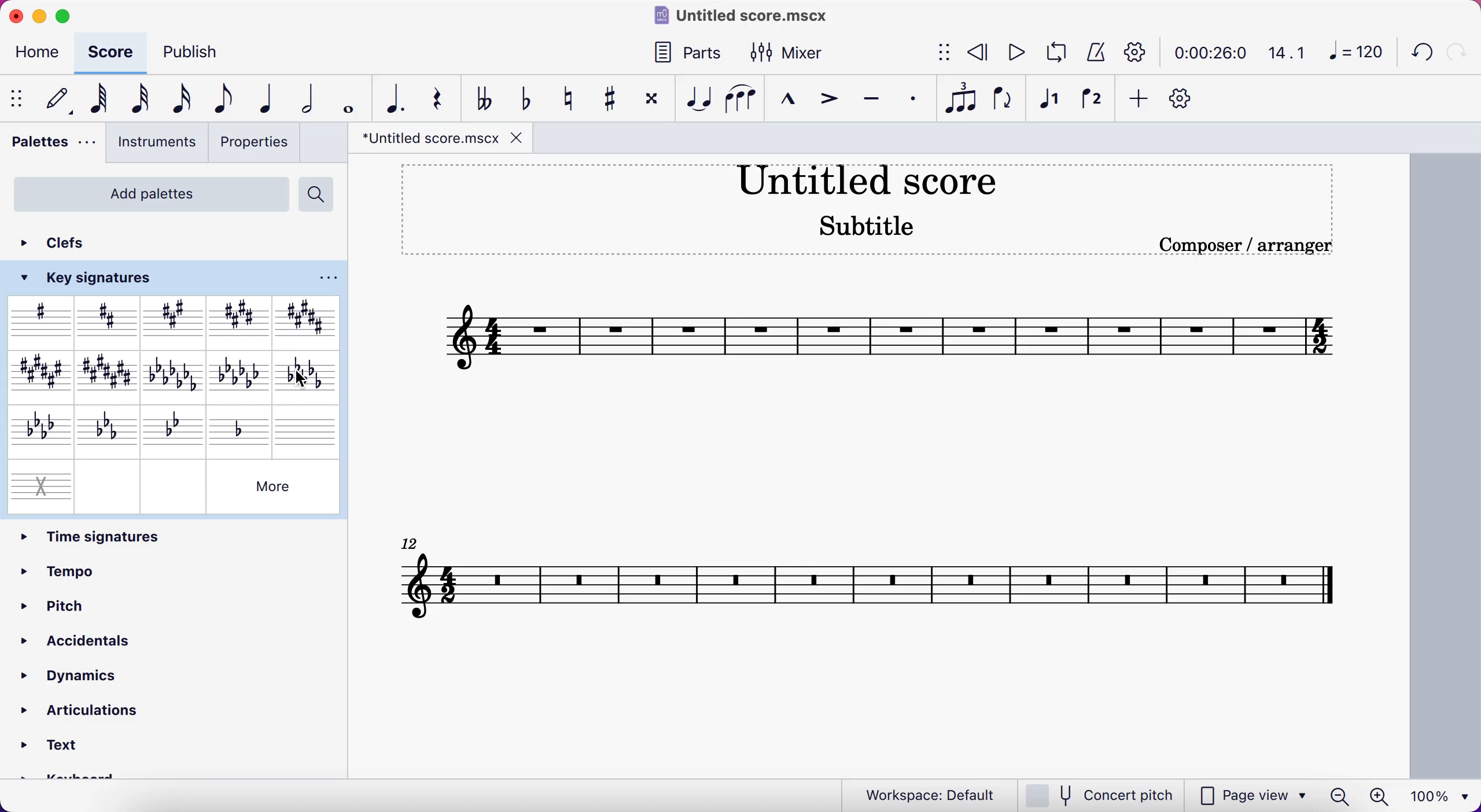 This screenshot has width=1481, height=812. I want to click on play, so click(1012, 51).